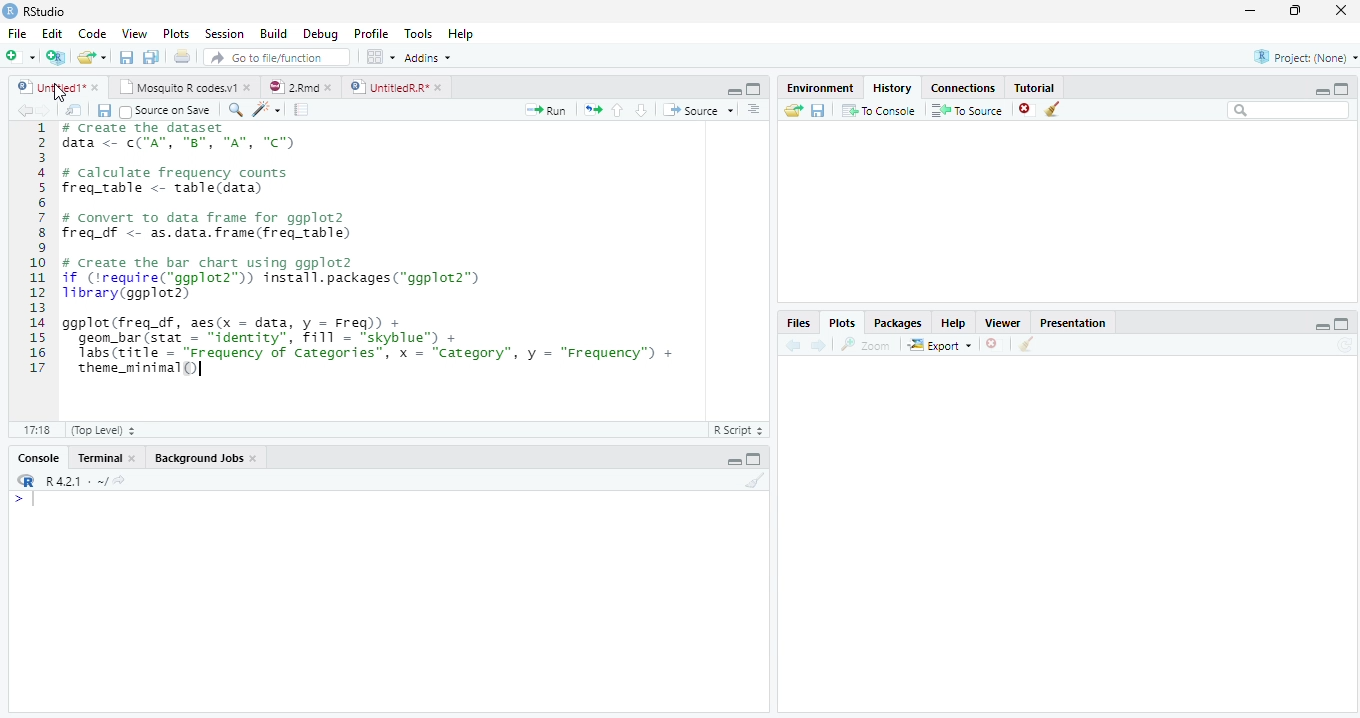  I want to click on Number list, so click(34, 254).